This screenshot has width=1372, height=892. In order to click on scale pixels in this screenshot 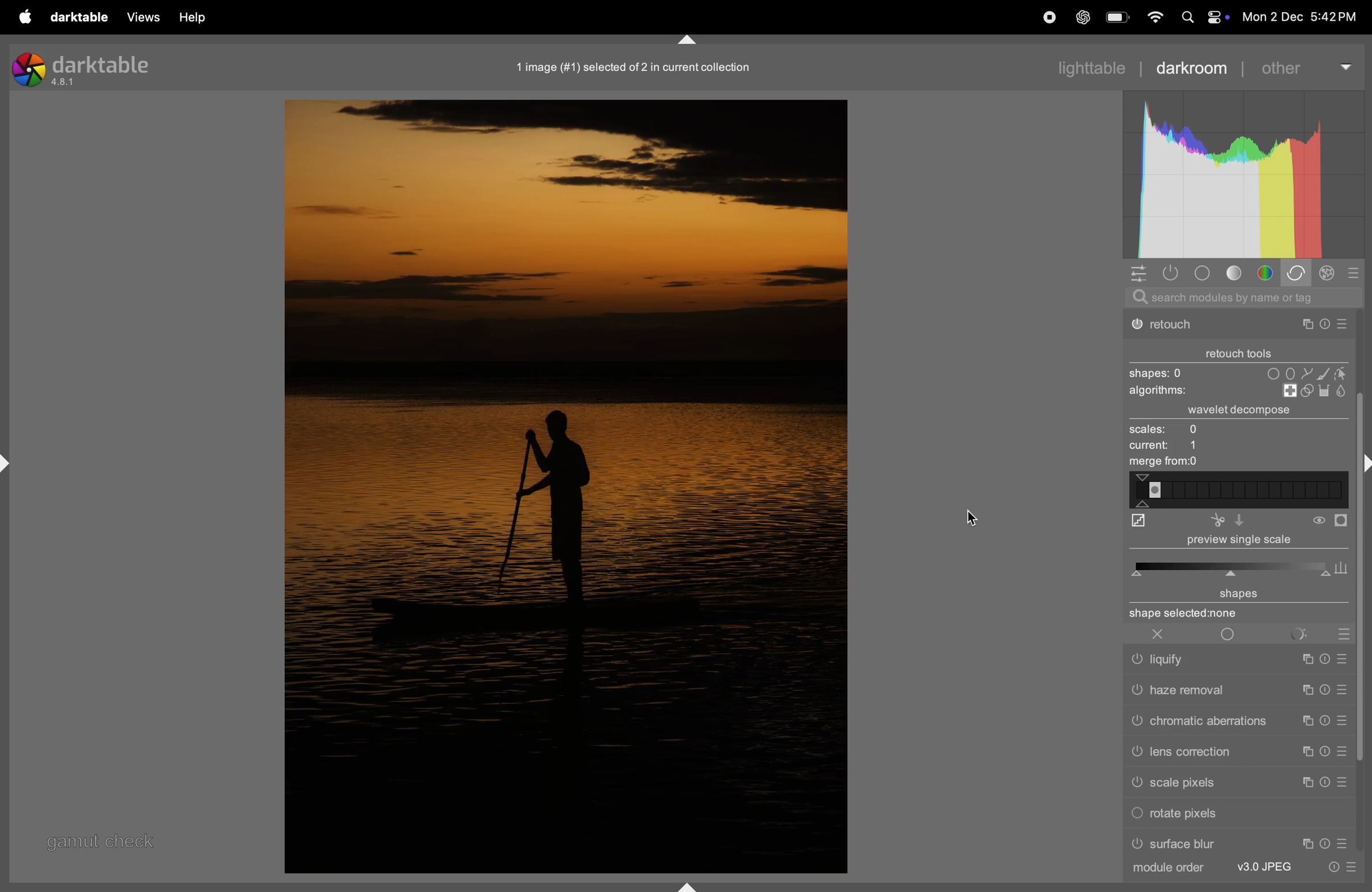, I will do `click(1242, 787)`.